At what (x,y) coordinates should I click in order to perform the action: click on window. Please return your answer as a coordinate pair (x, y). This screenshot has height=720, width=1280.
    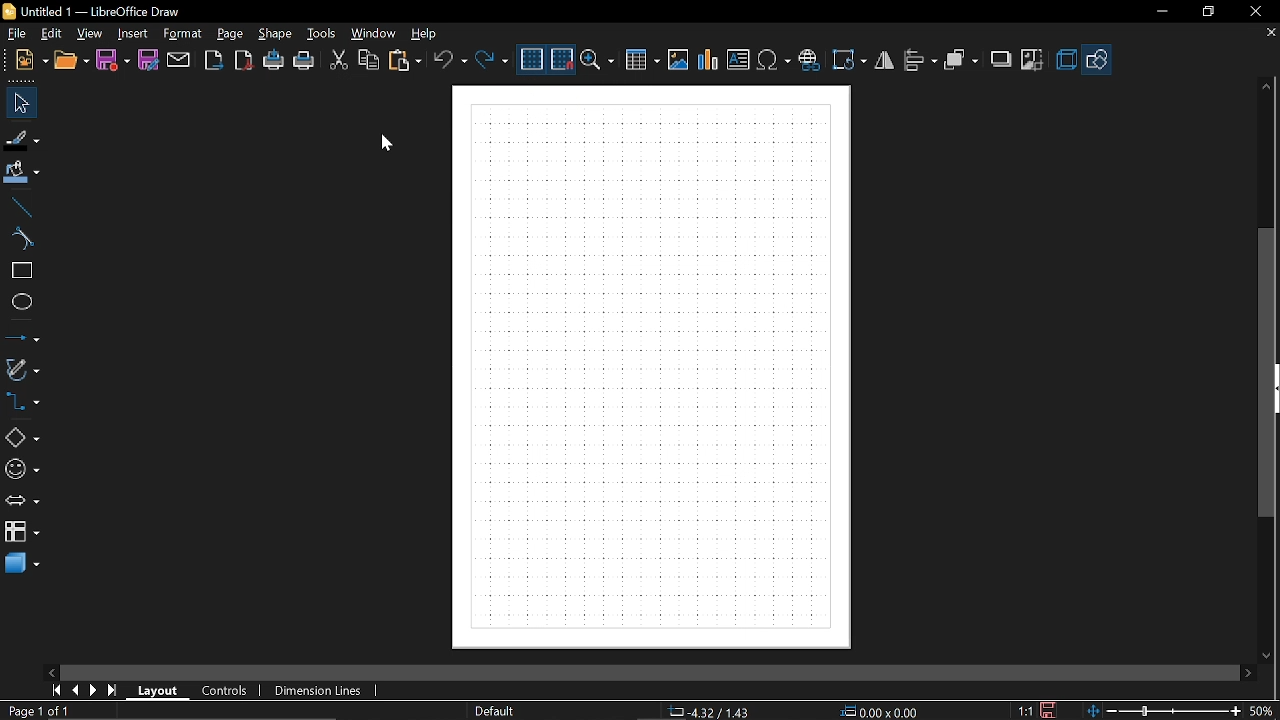
    Looking at the image, I should click on (374, 35).